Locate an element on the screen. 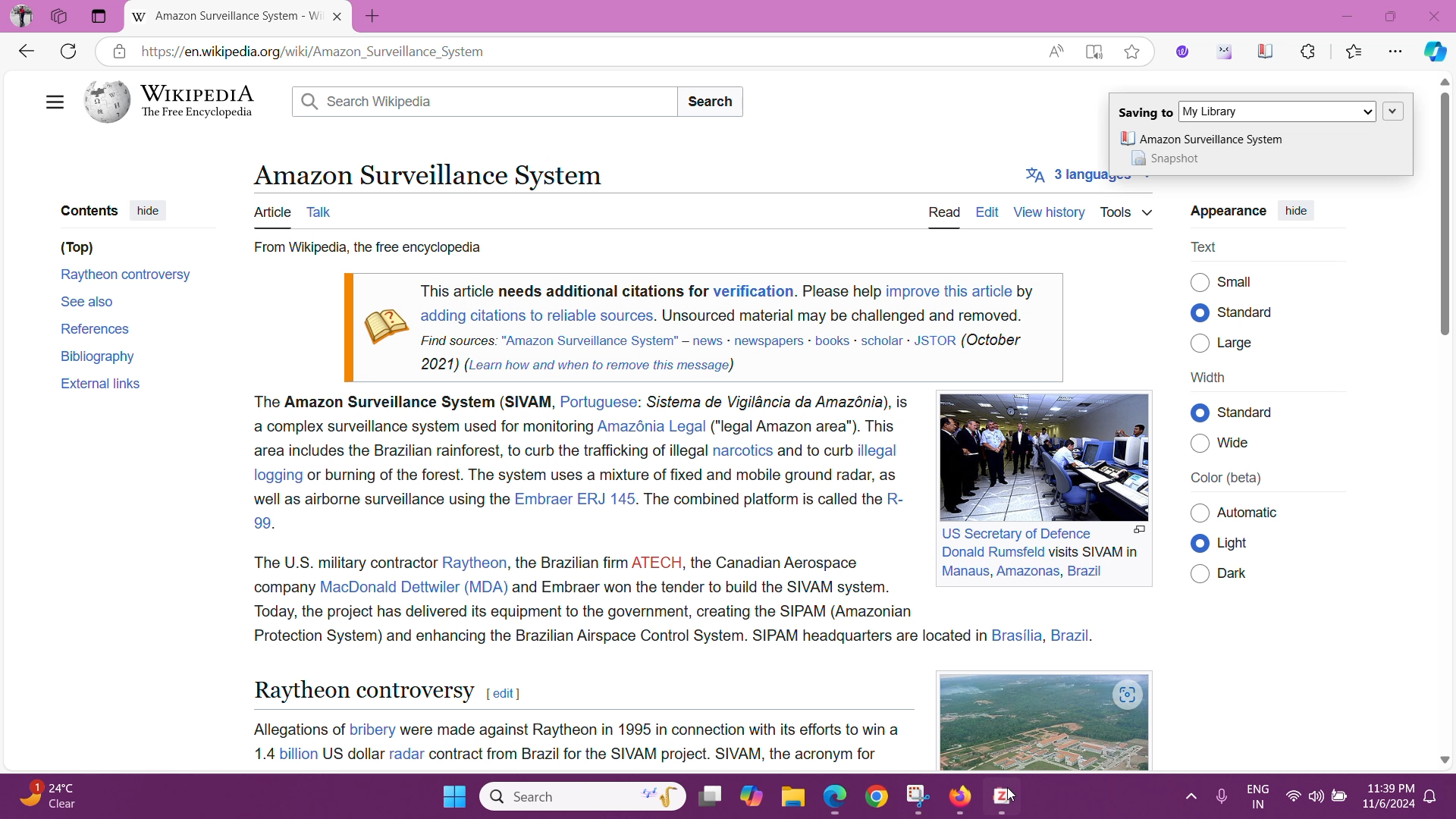  Unselected is located at coordinates (1200, 573).